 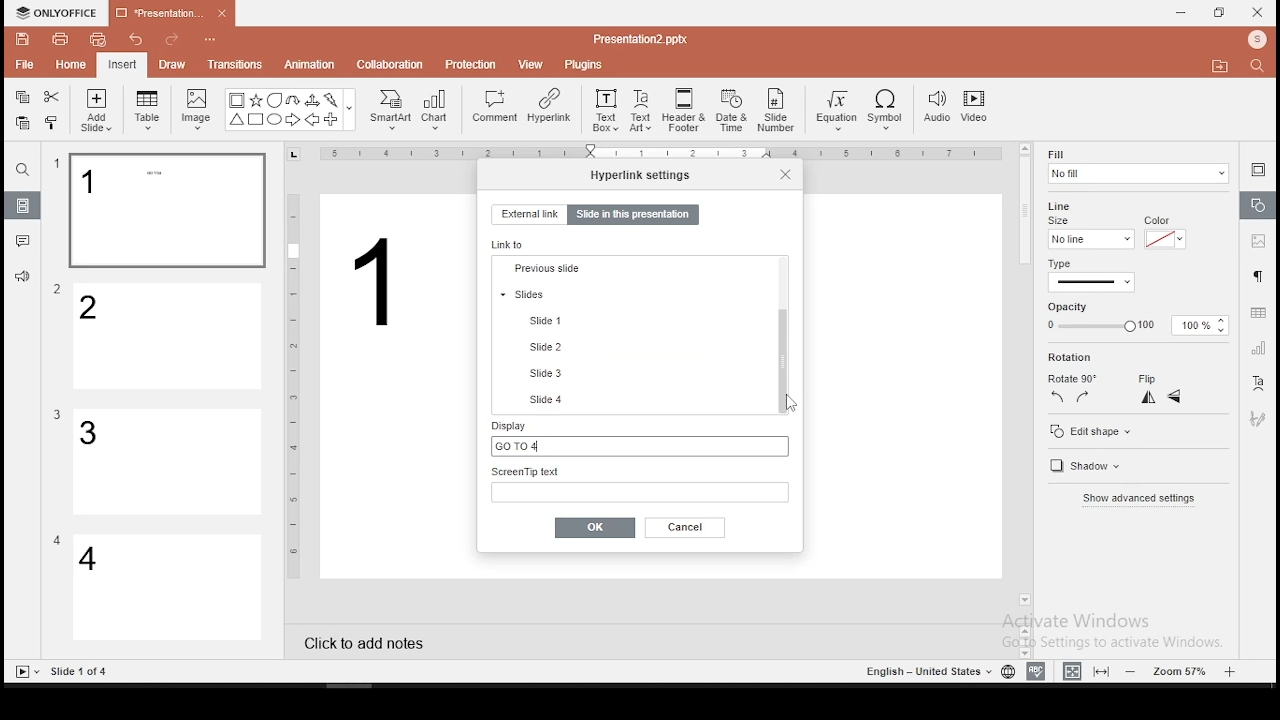 What do you see at coordinates (632, 317) in the screenshot?
I see `next slide` at bounding box center [632, 317].